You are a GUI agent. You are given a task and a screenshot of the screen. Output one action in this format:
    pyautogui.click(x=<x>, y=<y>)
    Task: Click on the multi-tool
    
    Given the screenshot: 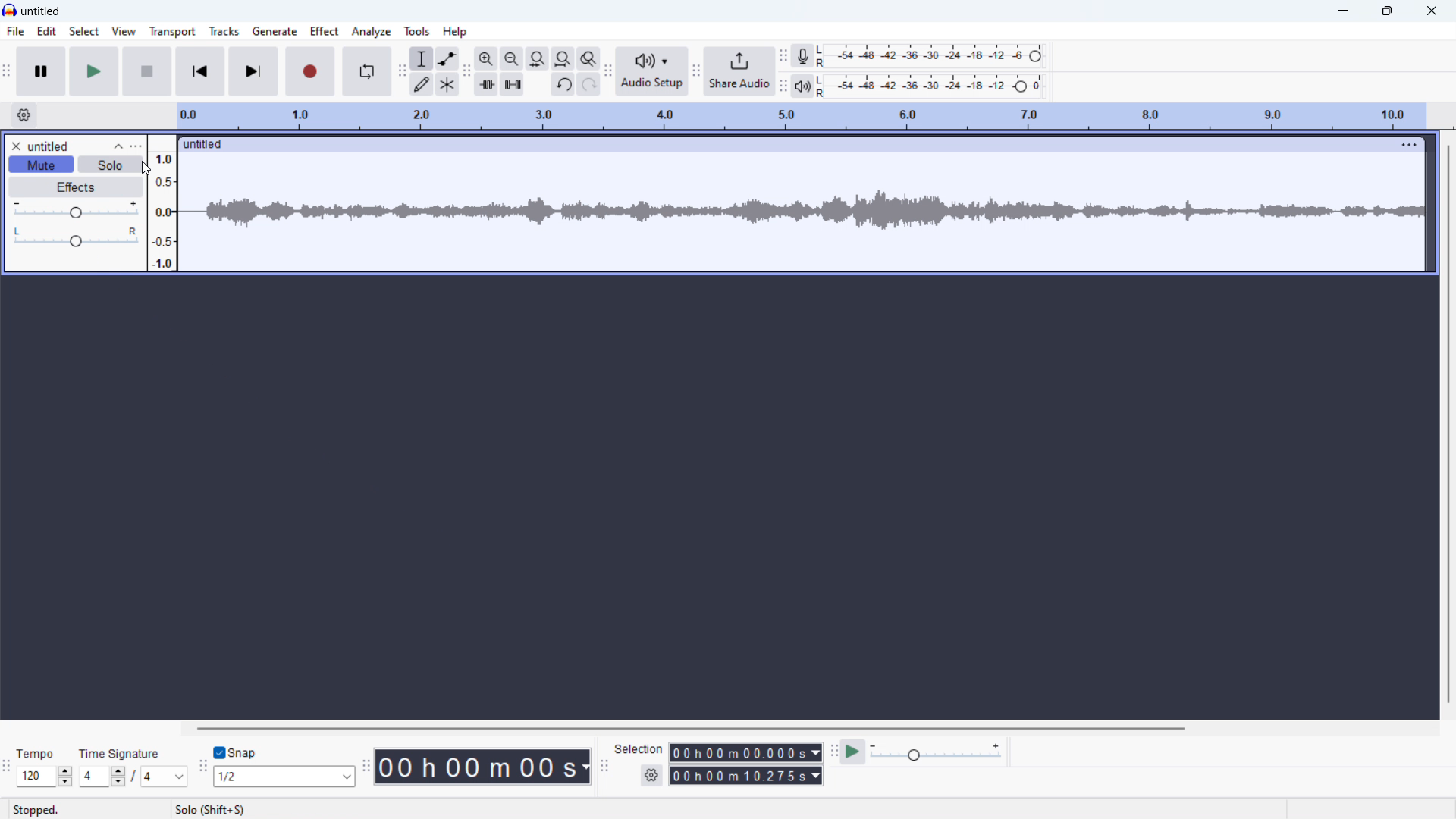 What is the action you would take?
    pyautogui.click(x=447, y=85)
    